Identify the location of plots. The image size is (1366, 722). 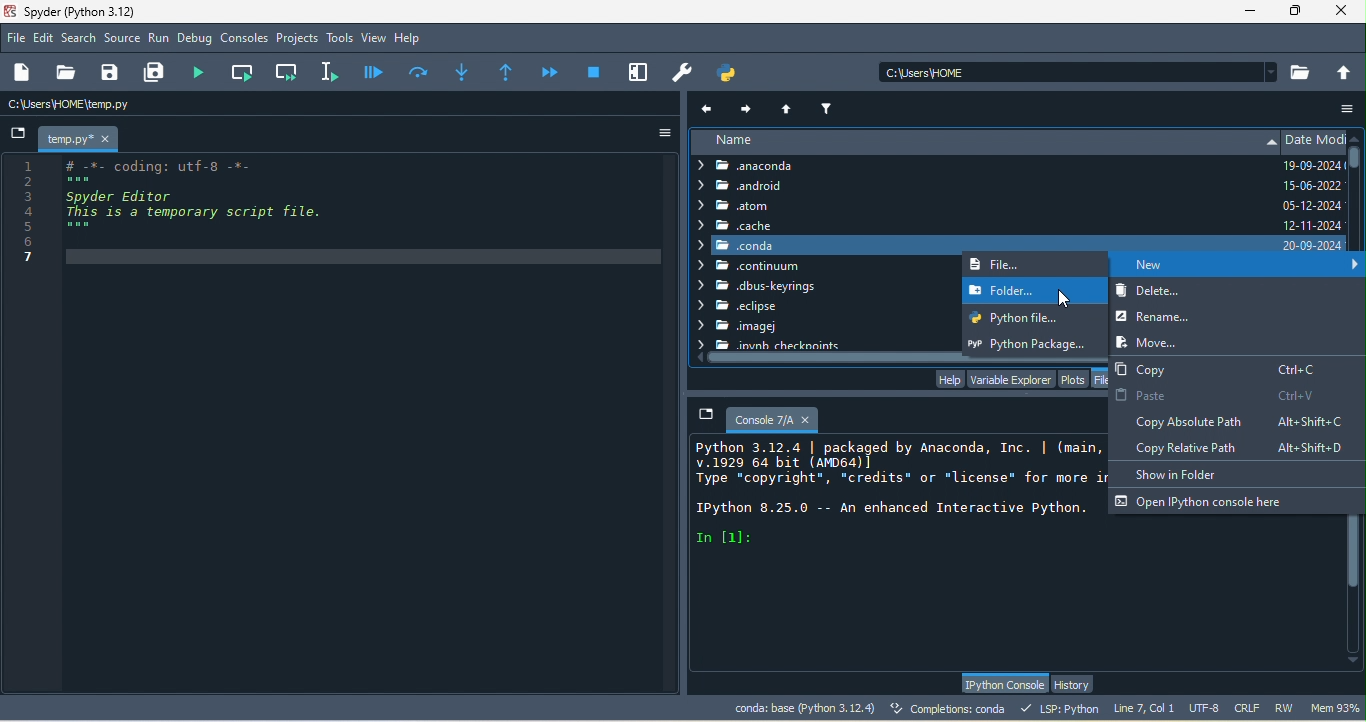
(1074, 378).